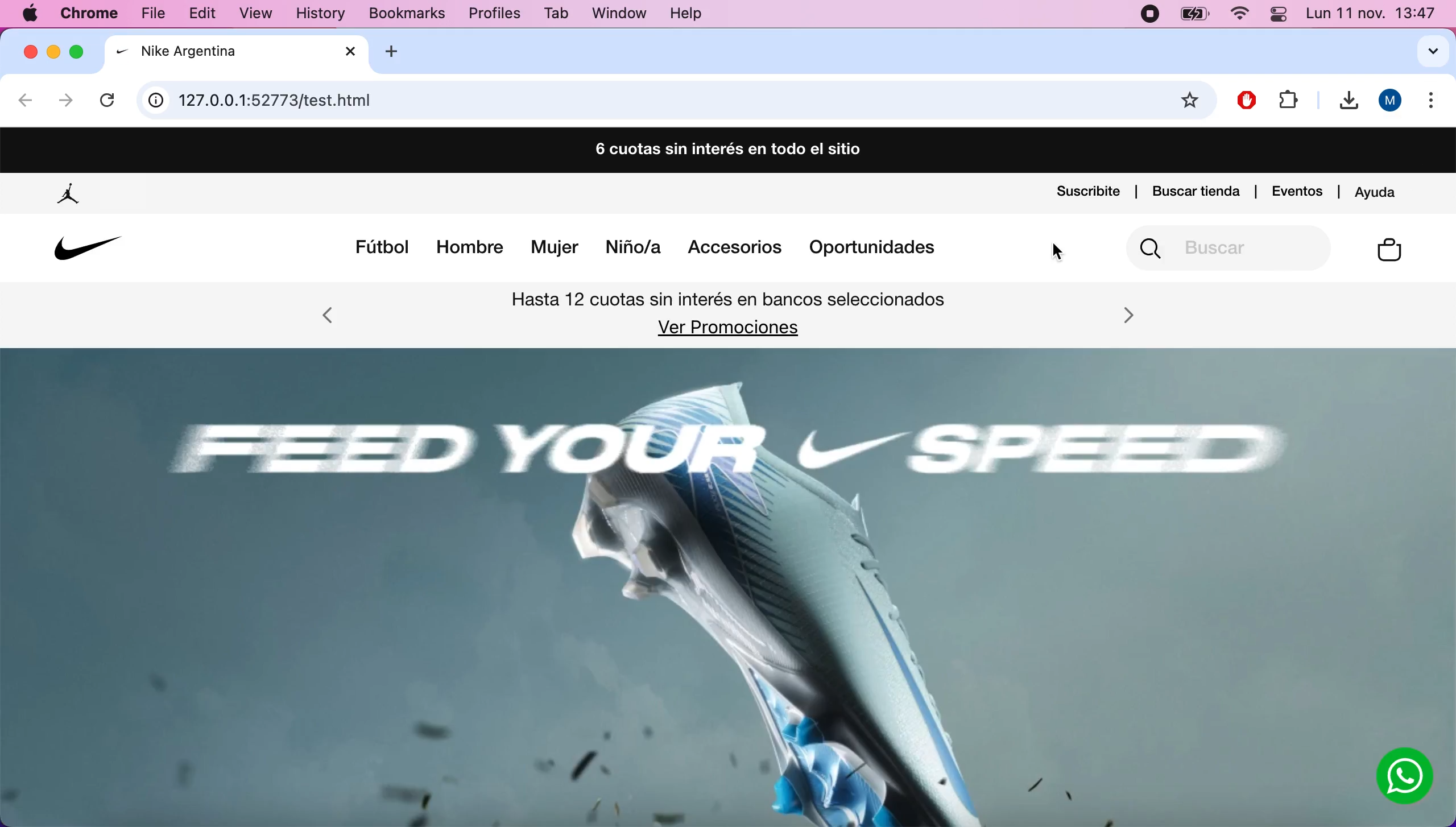 The width and height of the screenshot is (1456, 827). Describe the element at coordinates (647, 250) in the screenshot. I see `Website Menu` at that location.